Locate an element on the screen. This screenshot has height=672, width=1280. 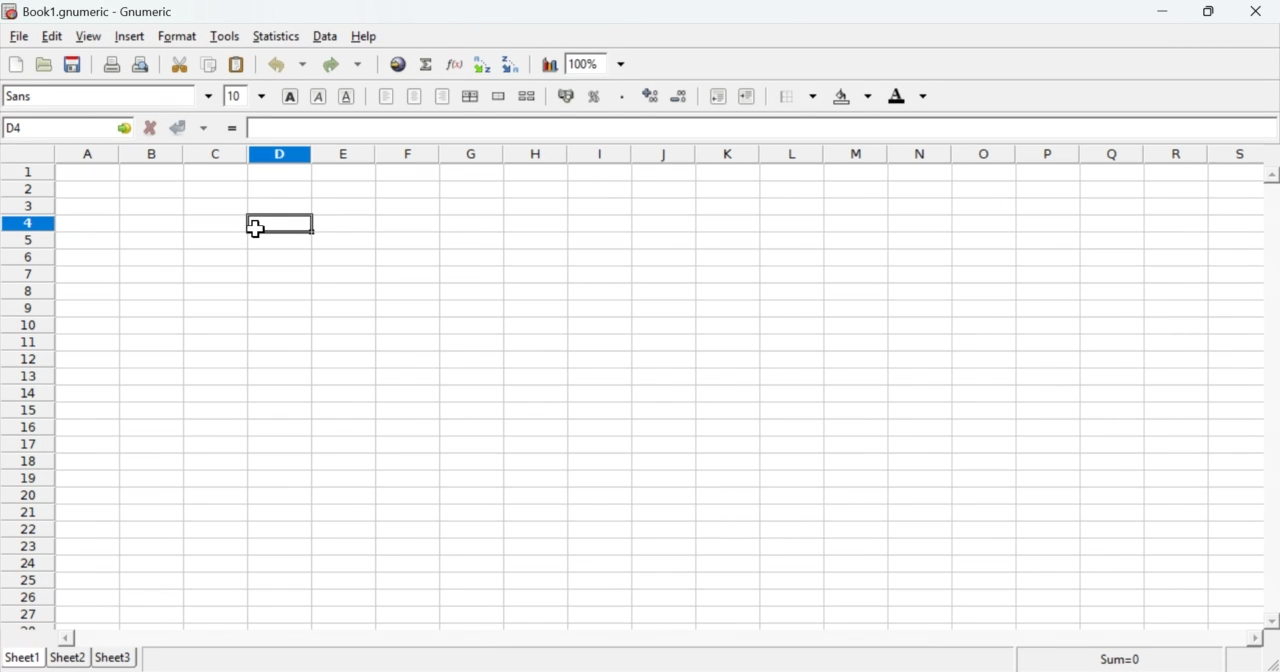
Create new workbook is located at coordinates (14, 64).